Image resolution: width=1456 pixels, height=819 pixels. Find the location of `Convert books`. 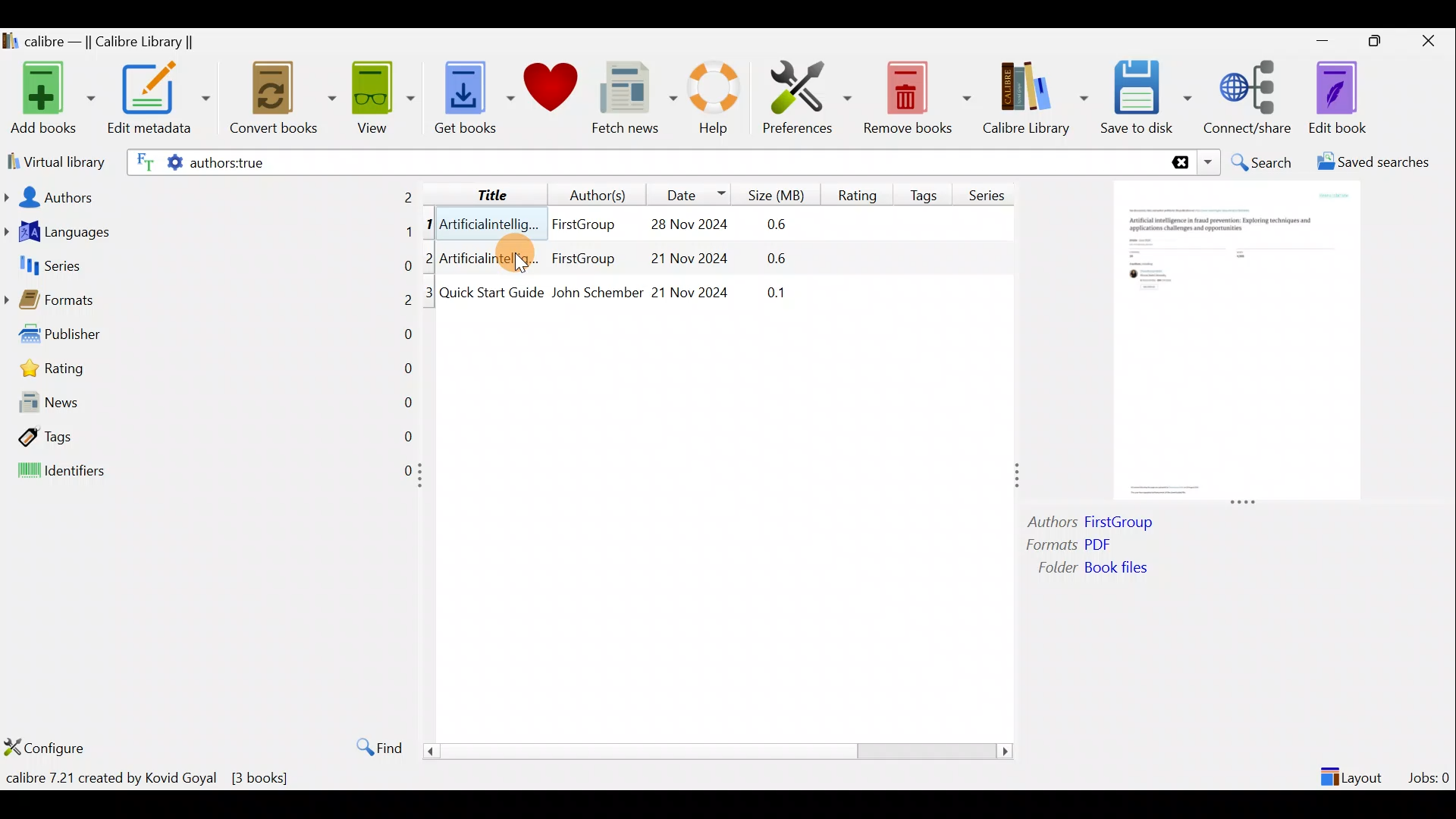

Convert books is located at coordinates (283, 99).